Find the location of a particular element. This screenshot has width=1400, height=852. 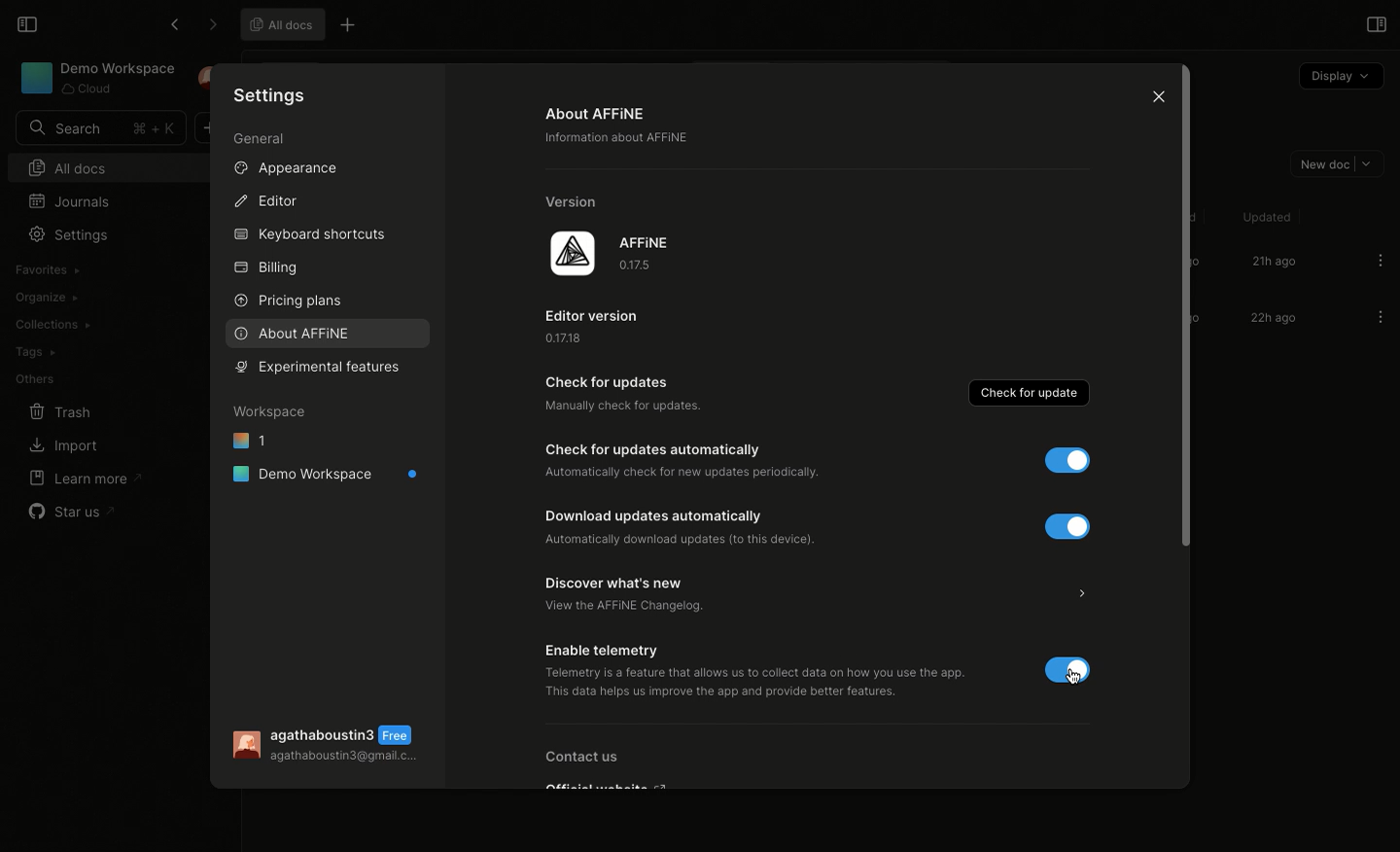

Download update automatically is located at coordinates (786, 527).